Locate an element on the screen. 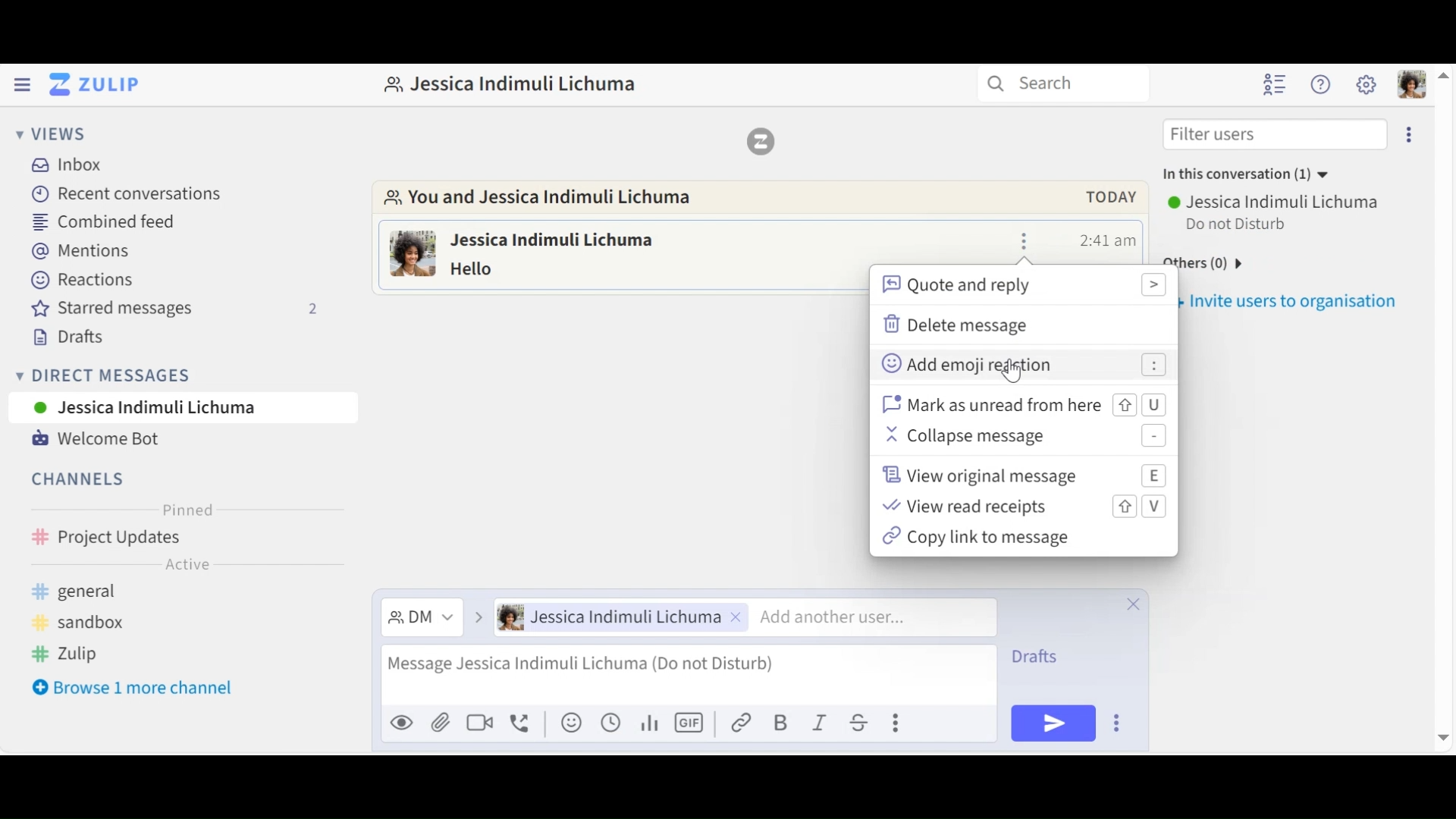  Copy link to mesage is located at coordinates (982, 538).